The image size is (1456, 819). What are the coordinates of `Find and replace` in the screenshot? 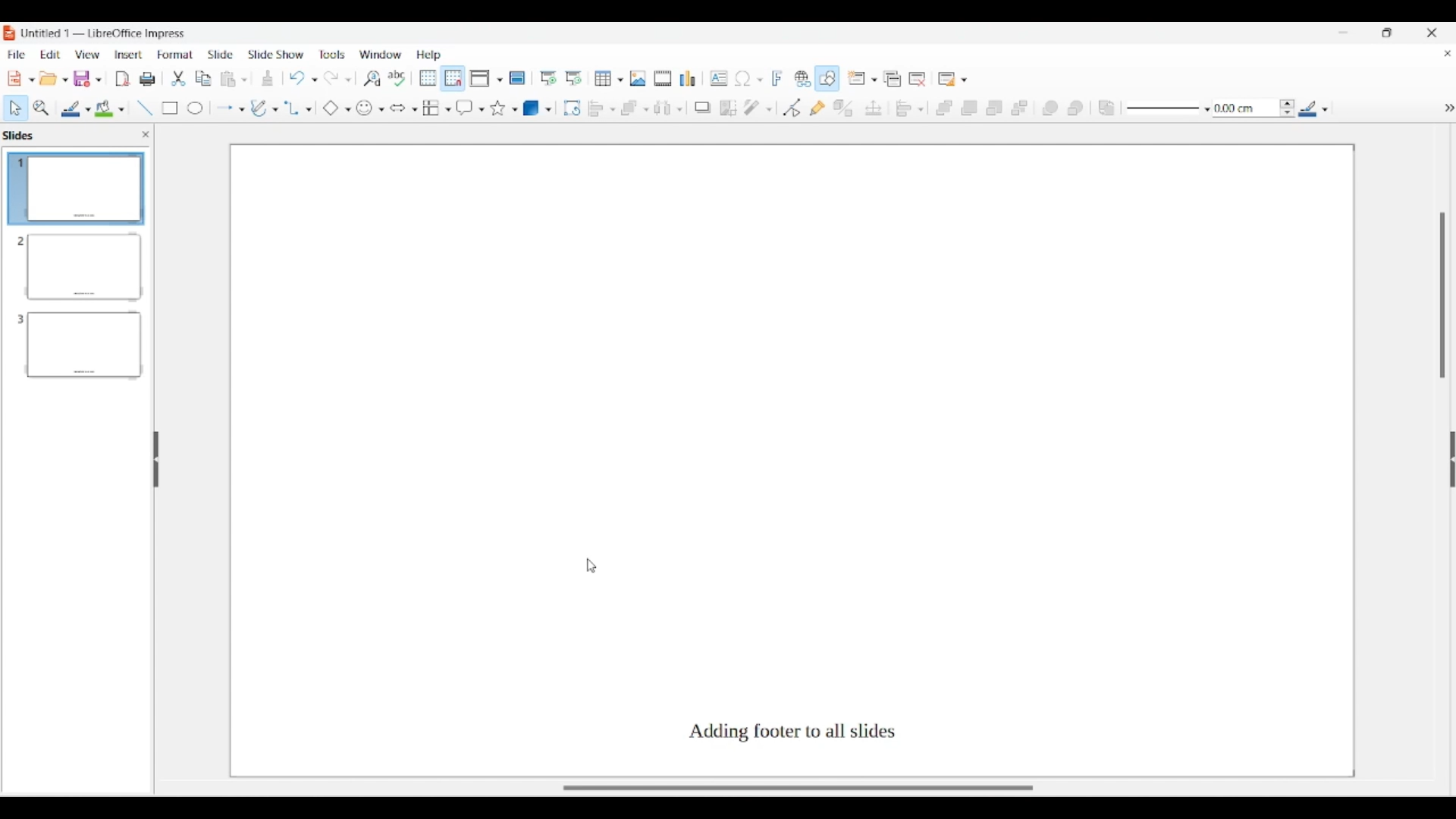 It's located at (372, 78).